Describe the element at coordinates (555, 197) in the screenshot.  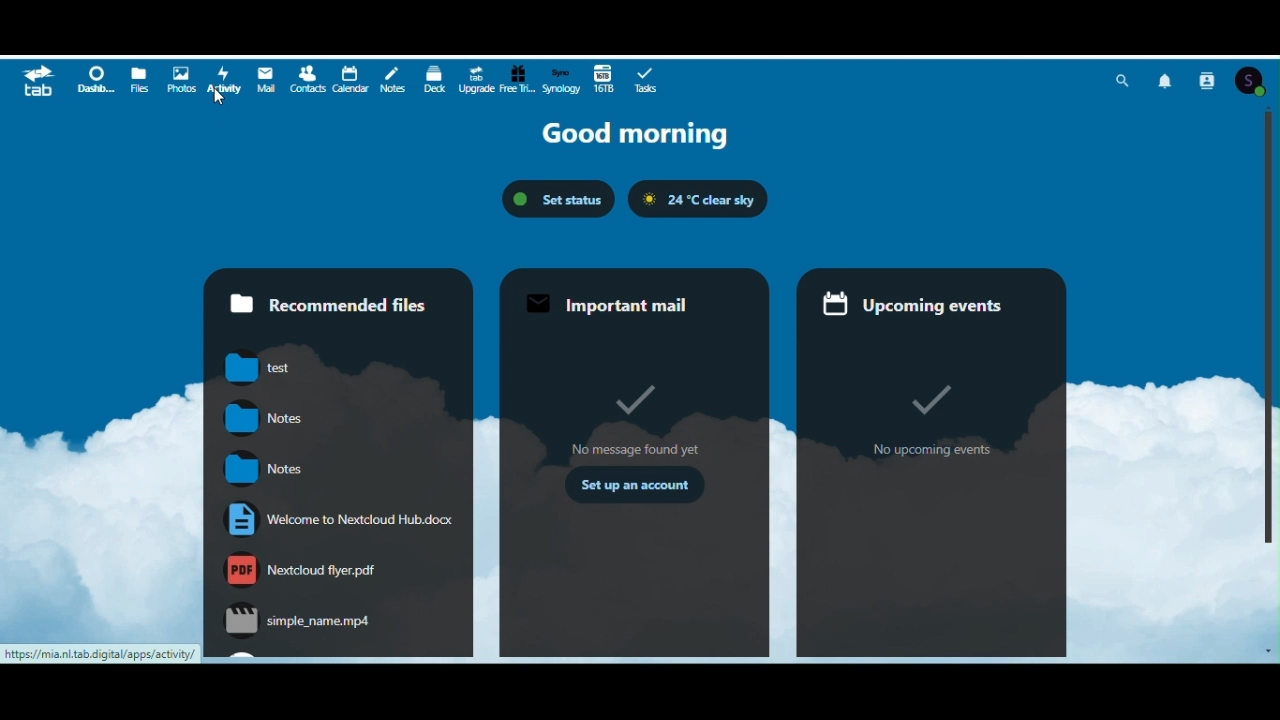
I see `Set status` at that location.